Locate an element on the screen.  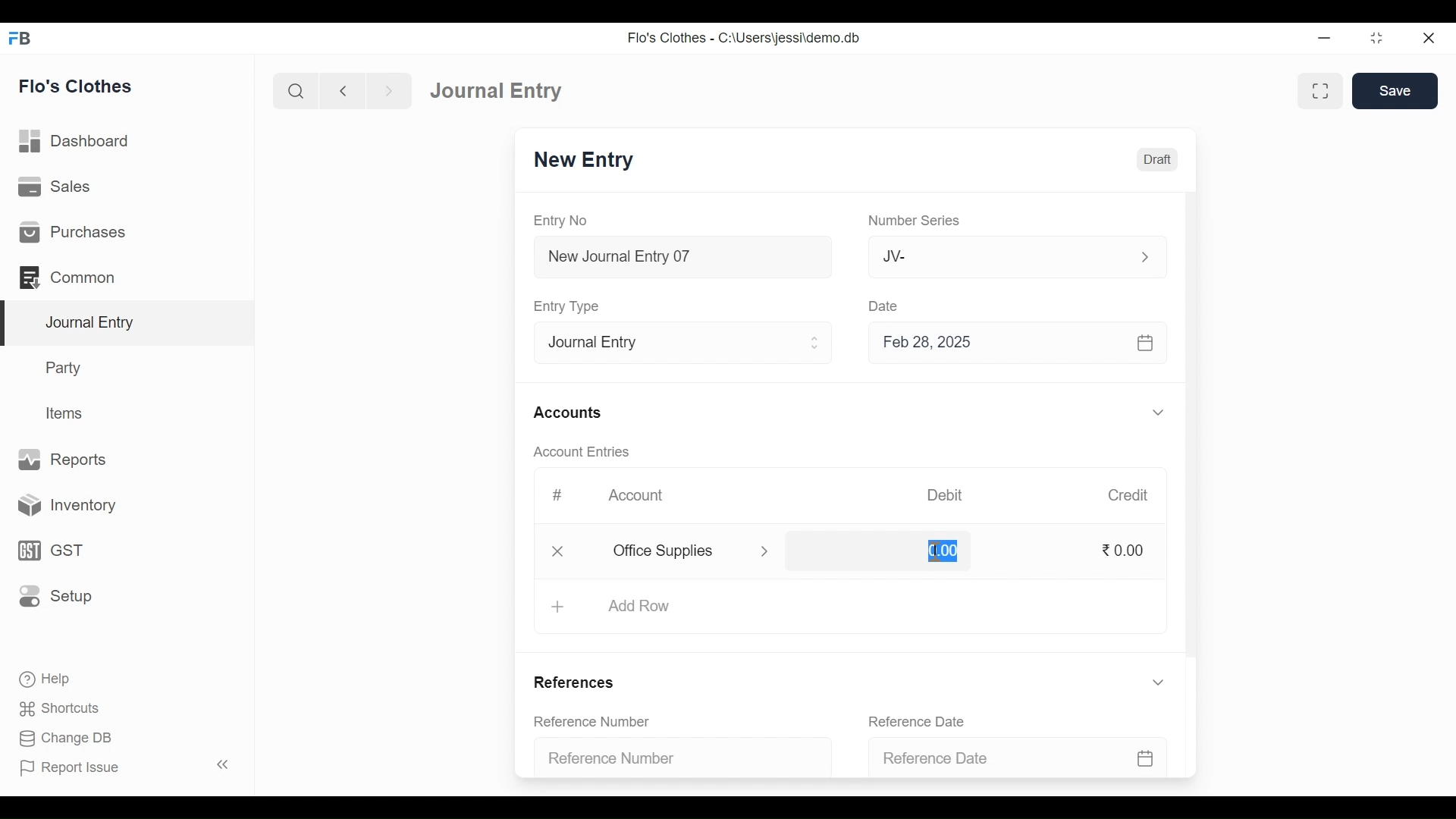
Date is located at coordinates (888, 307).